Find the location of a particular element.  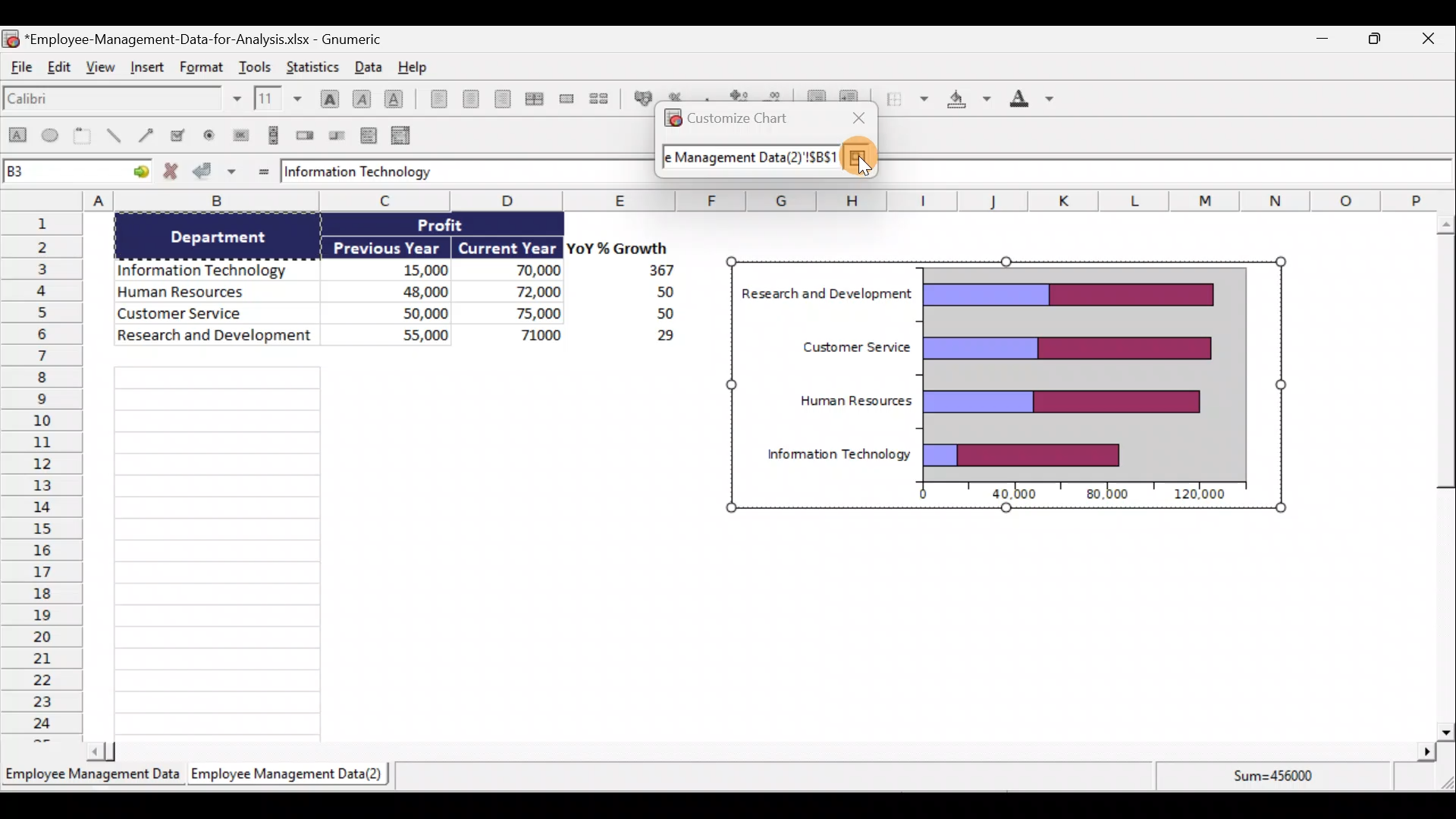

Cell name B3 is located at coordinates (61, 173).